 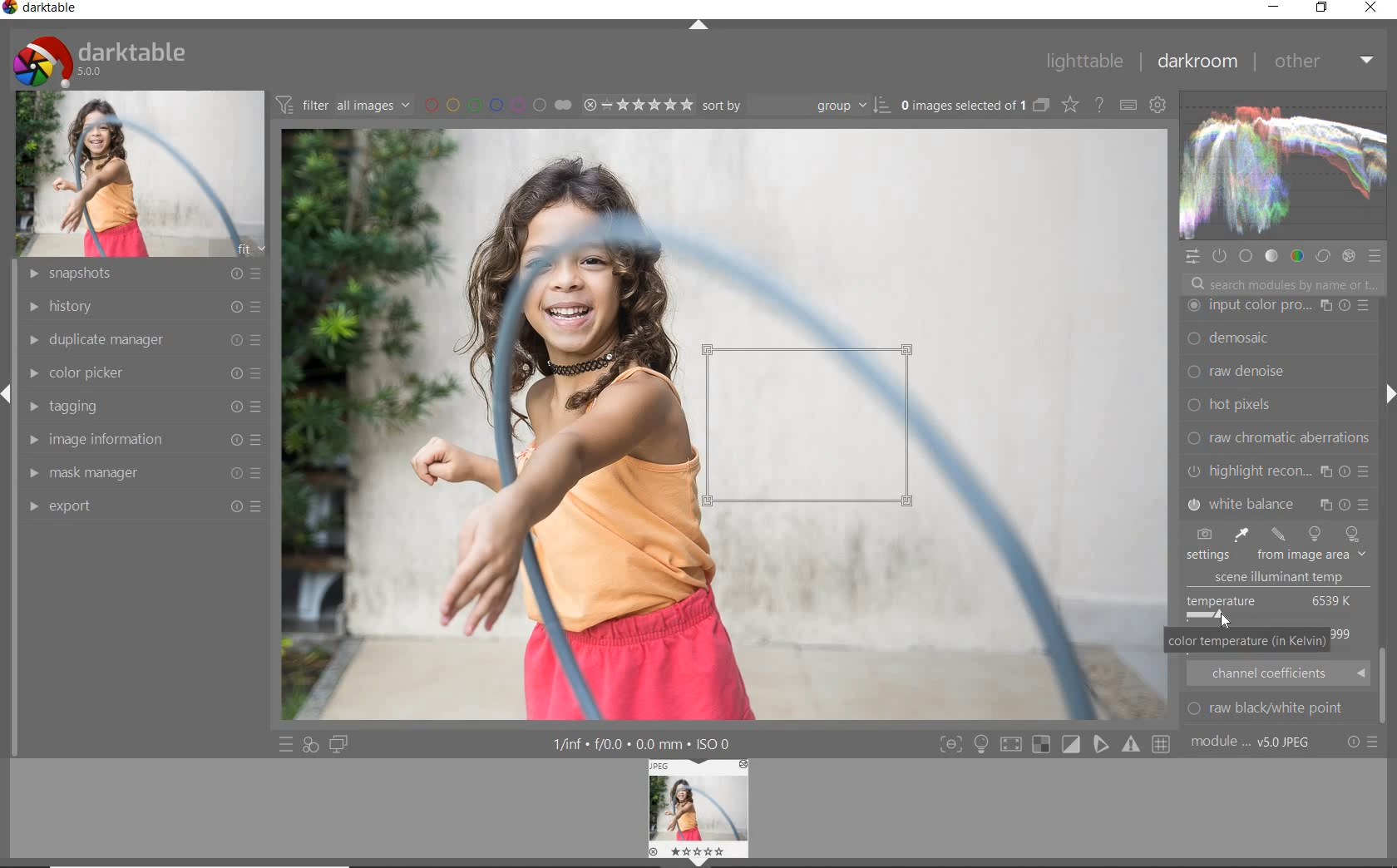 I want to click on color picker, so click(x=149, y=370).